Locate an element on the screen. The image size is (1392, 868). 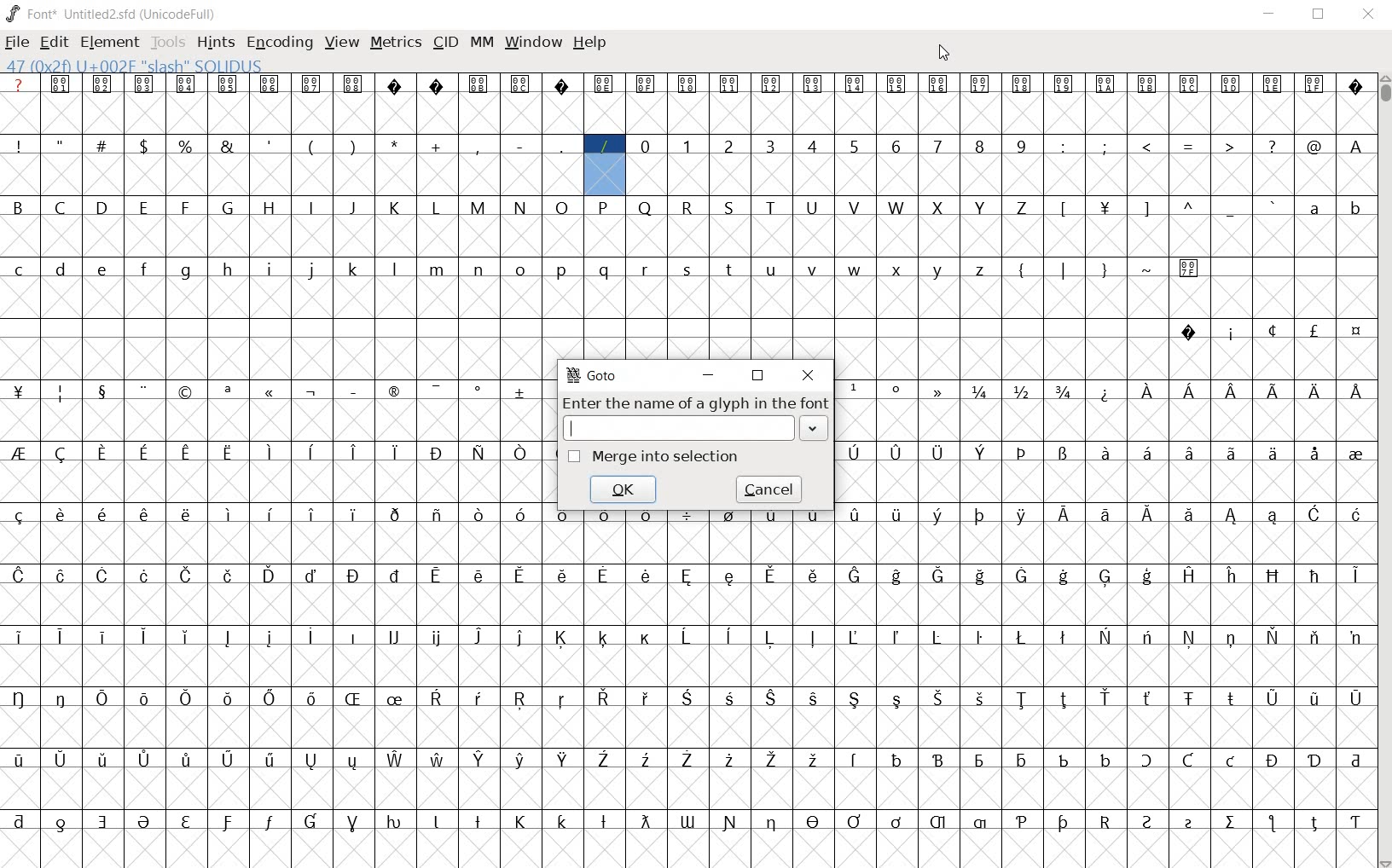
glyph is located at coordinates (437, 147).